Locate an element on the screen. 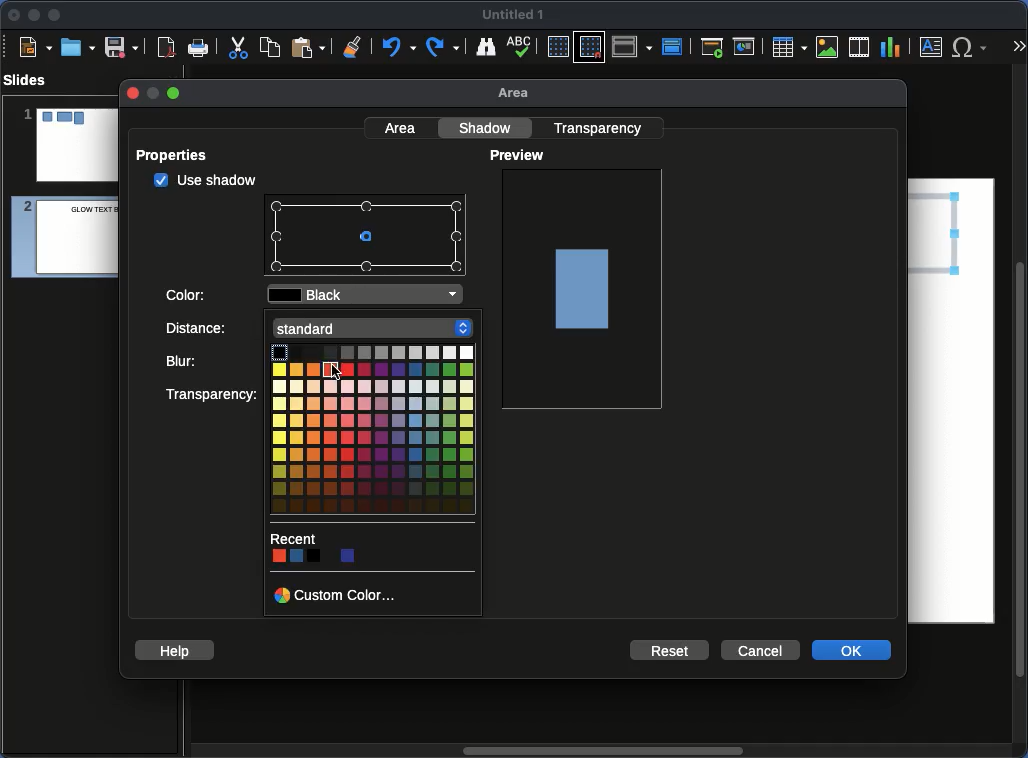 The height and width of the screenshot is (758, 1028). Preview is located at coordinates (520, 156).